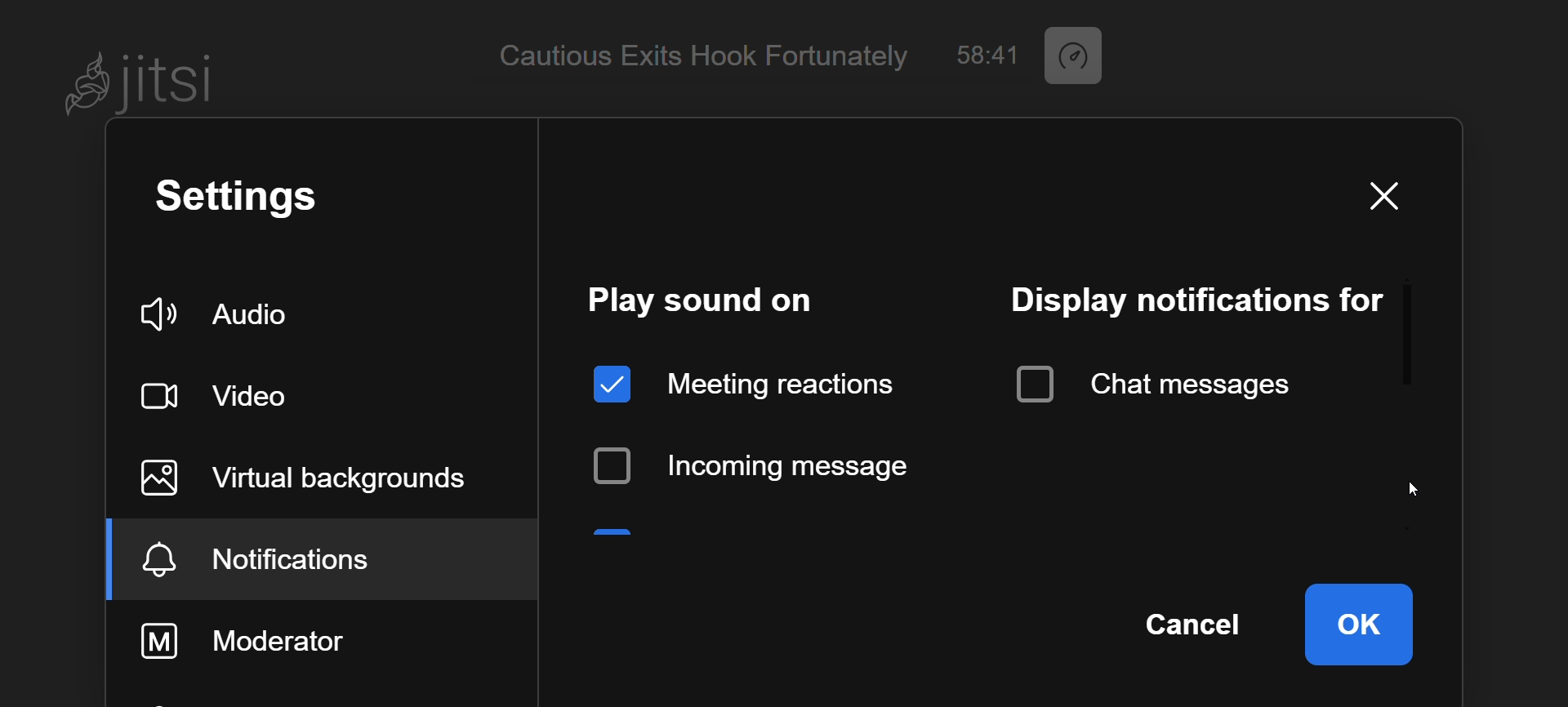 The height and width of the screenshot is (707, 1568). Describe the element at coordinates (140, 83) in the screenshot. I see `Jitsi` at that location.